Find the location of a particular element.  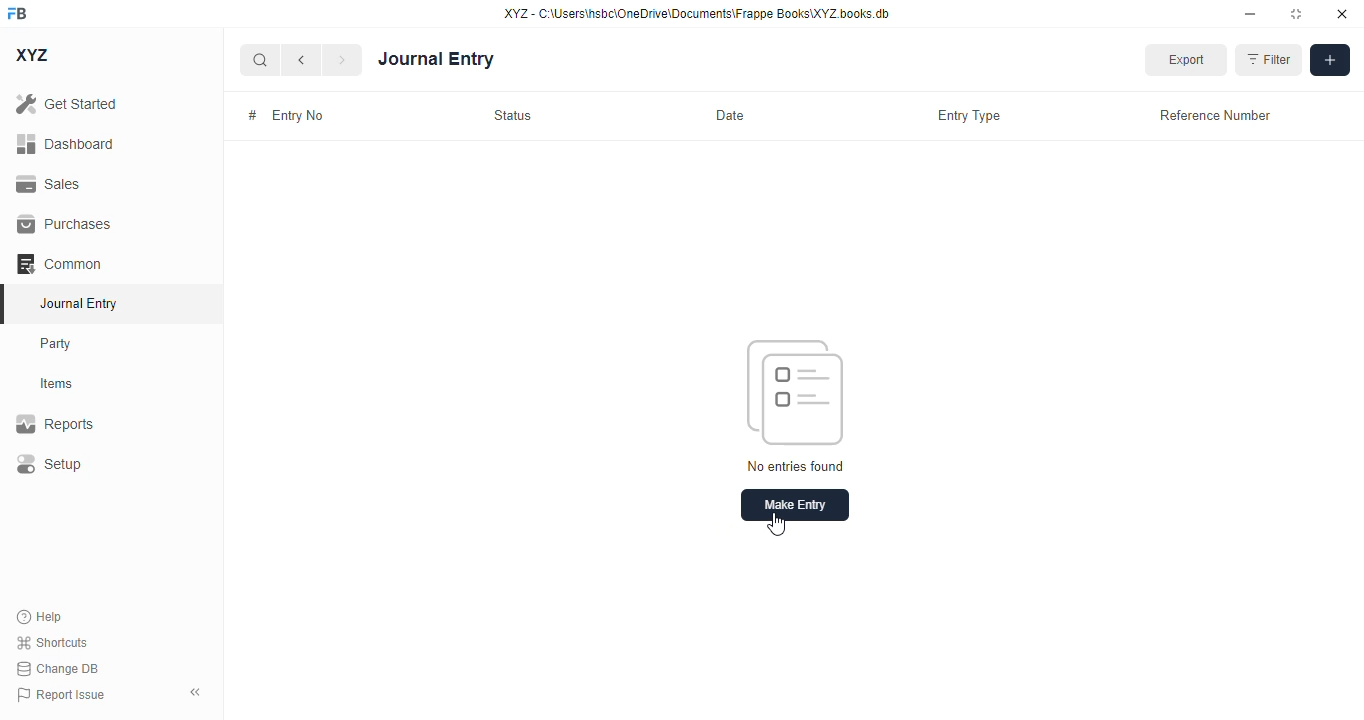

cursor is located at coordinates (776, 525).